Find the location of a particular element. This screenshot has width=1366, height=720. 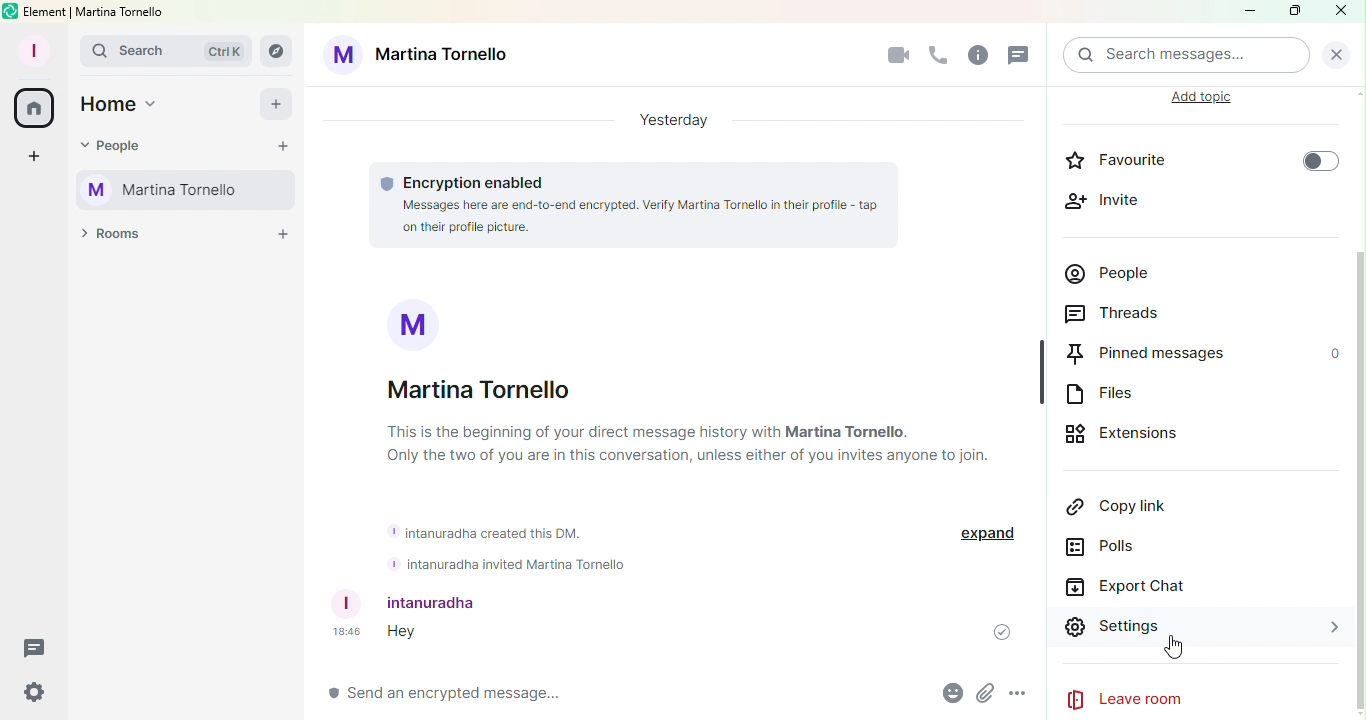

Close is located at coordinates (1343, 11).